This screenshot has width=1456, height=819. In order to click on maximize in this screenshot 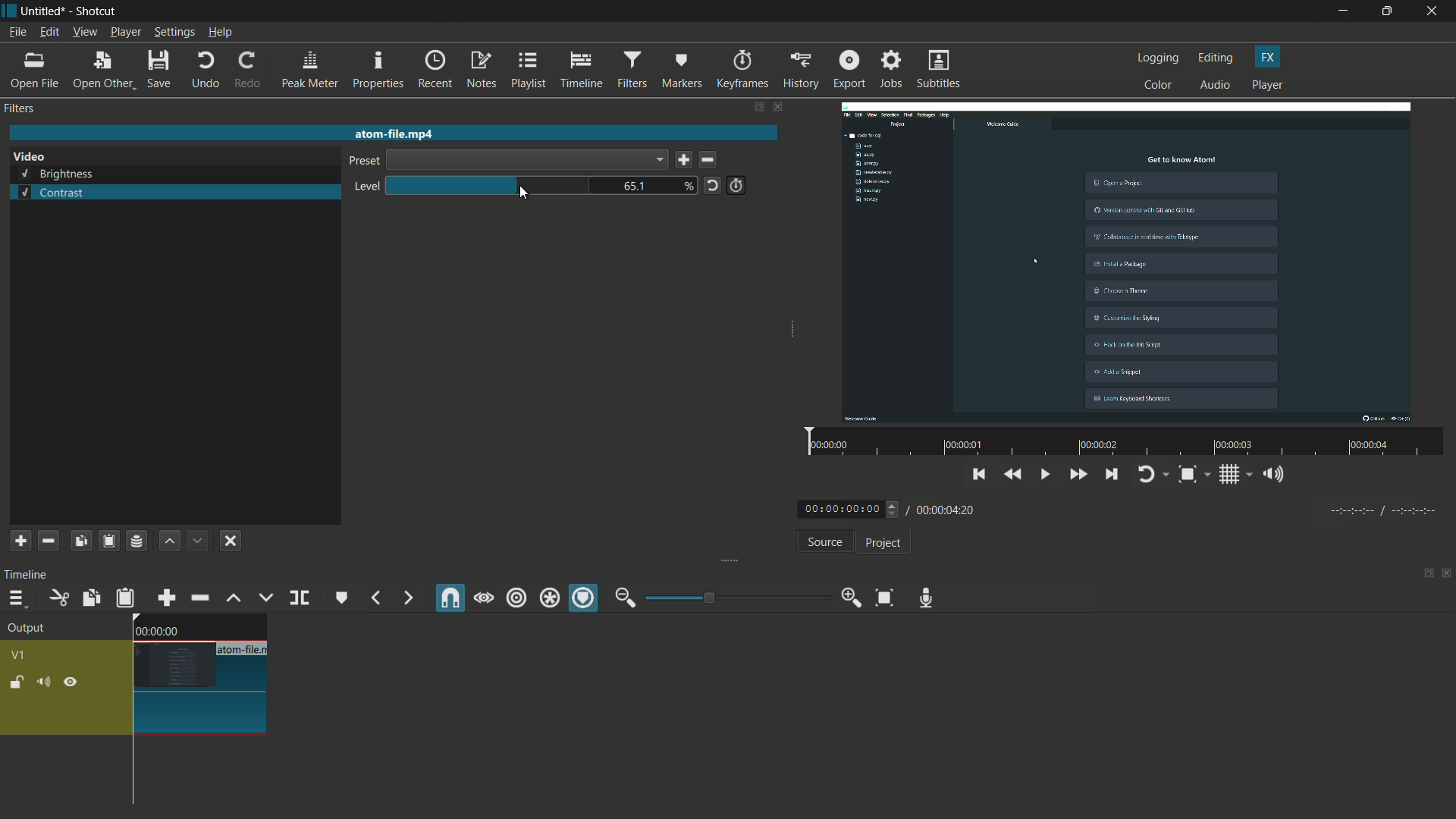, I will do `click(1389, 11)`.